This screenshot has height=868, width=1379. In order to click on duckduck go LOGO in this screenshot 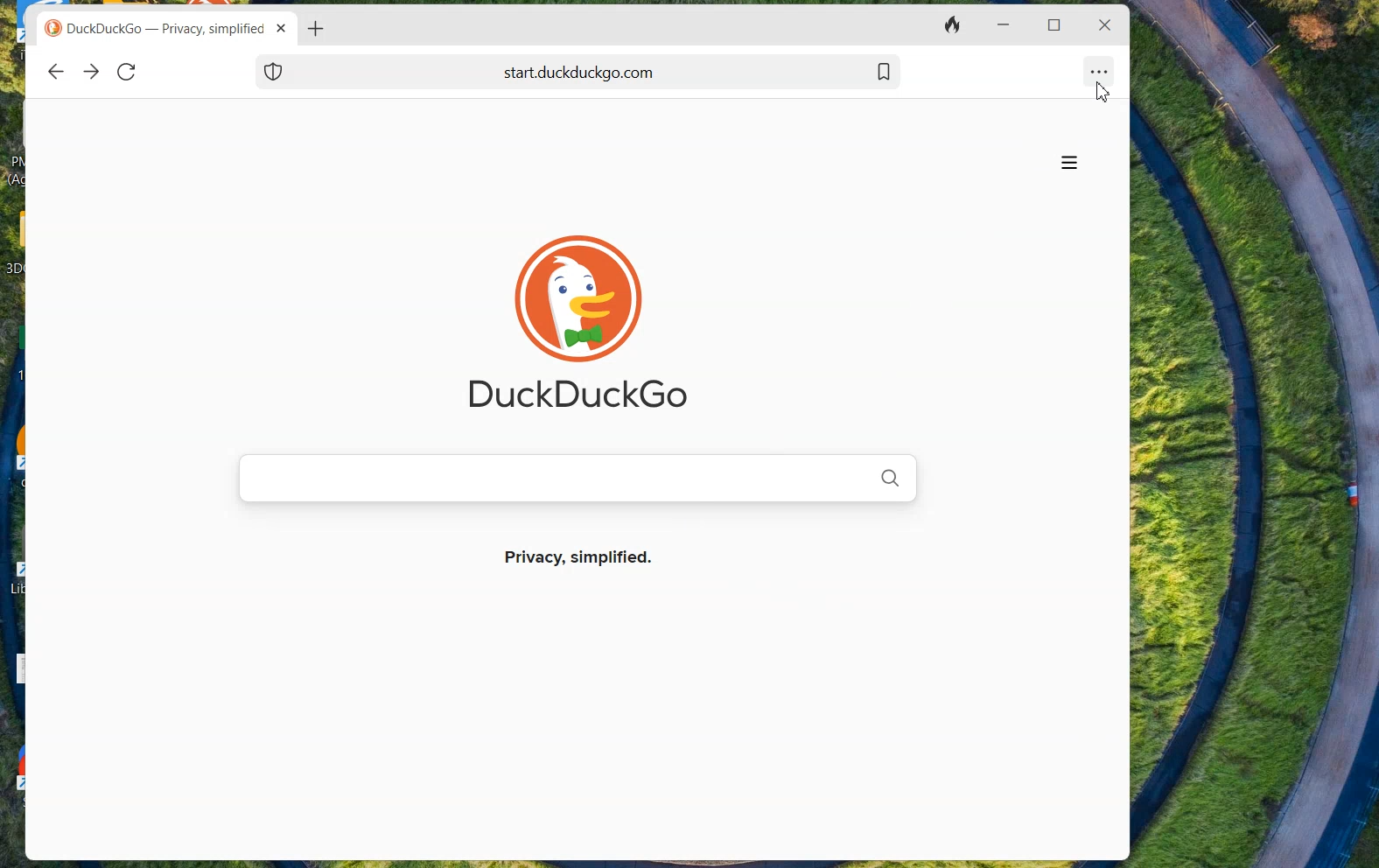, I will do `click(576, 272)`.